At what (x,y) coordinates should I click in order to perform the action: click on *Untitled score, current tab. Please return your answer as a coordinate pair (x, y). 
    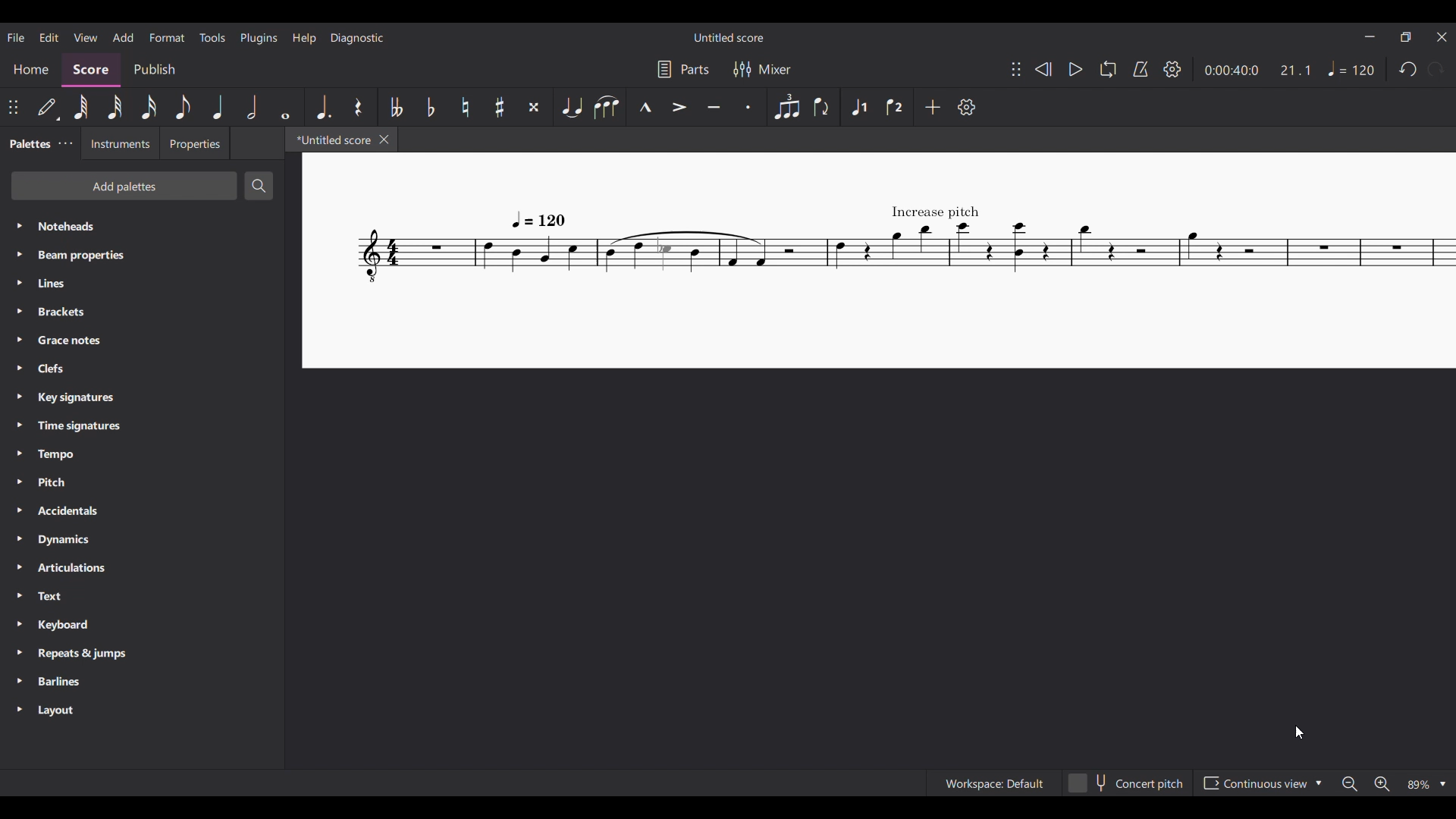
    Looking at the image, I should click on (329, 139).